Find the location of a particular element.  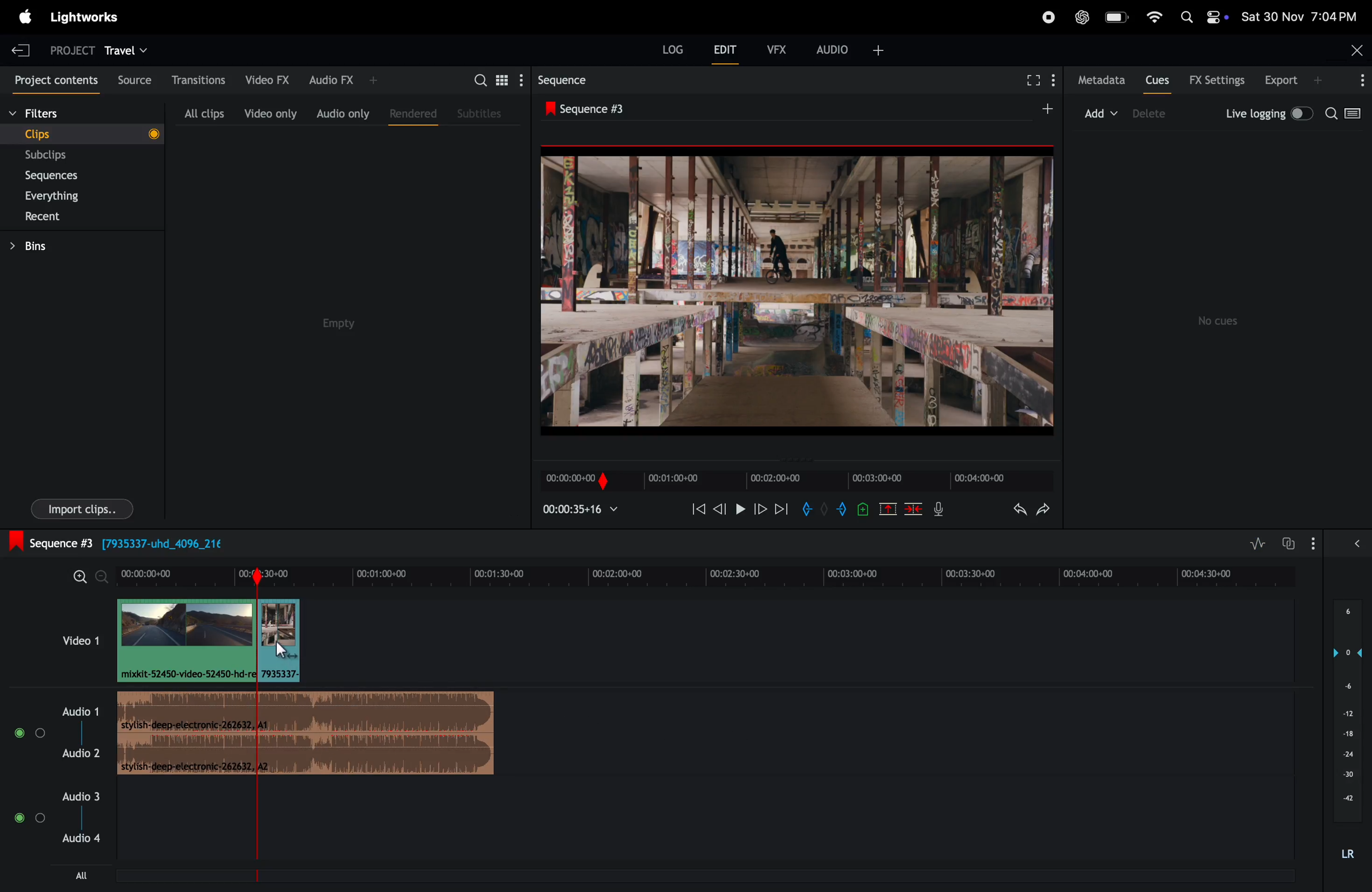

search menu is located at coordinates (495, 79).